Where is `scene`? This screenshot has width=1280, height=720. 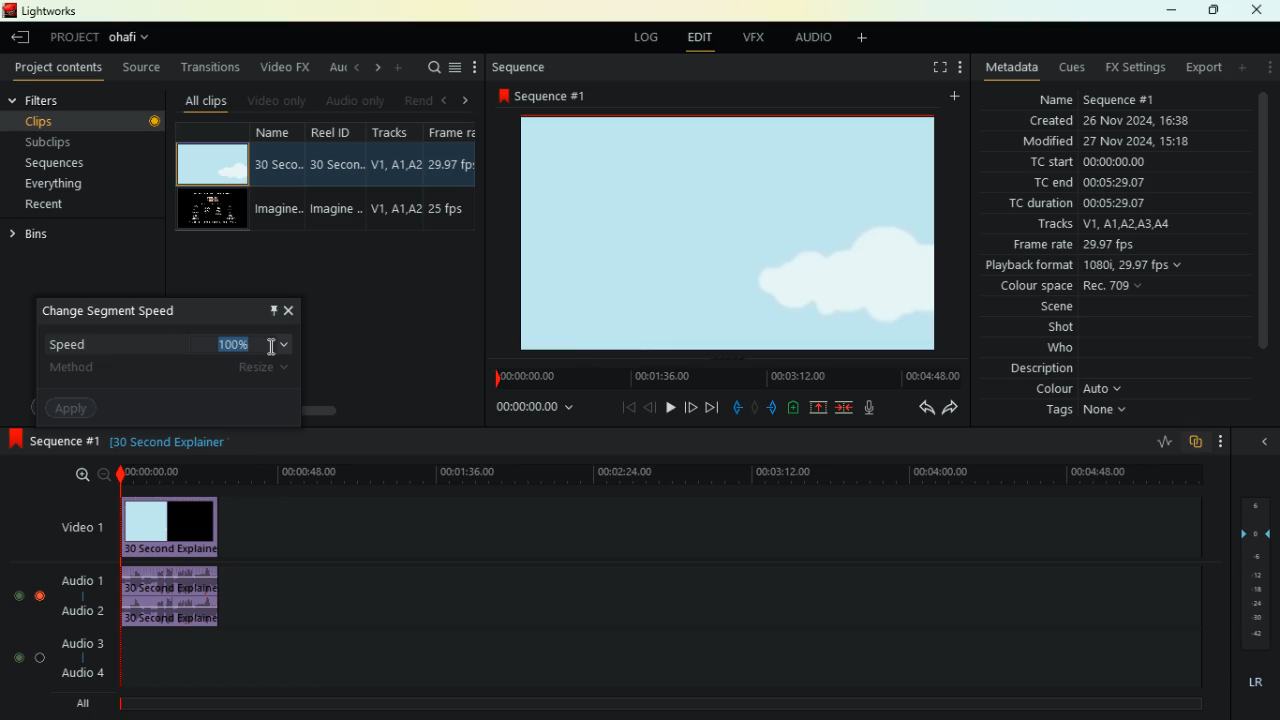 scene is located at coordinates (1035, 309).